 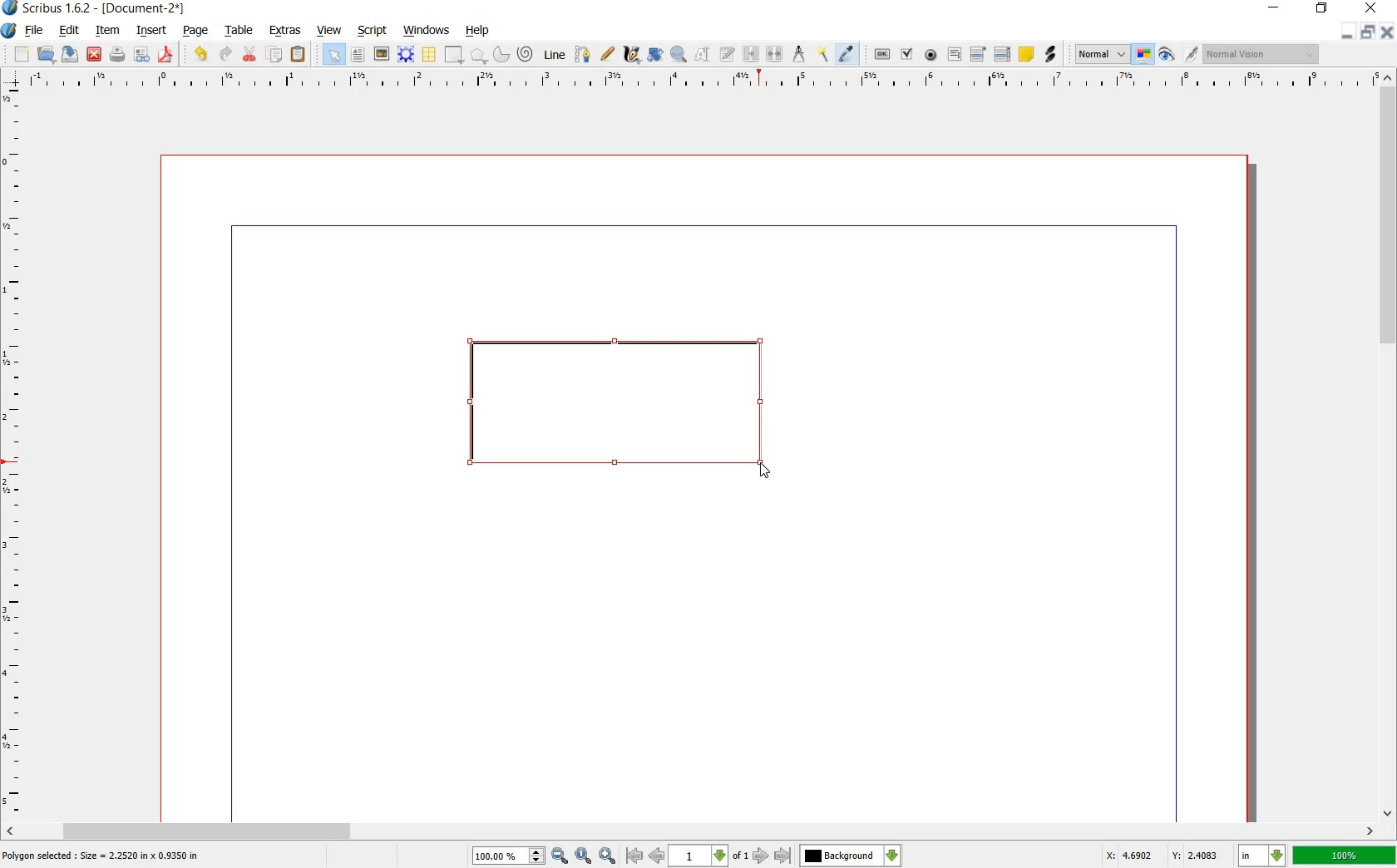 I want to click on VIEW, so click(x=328, y=32).